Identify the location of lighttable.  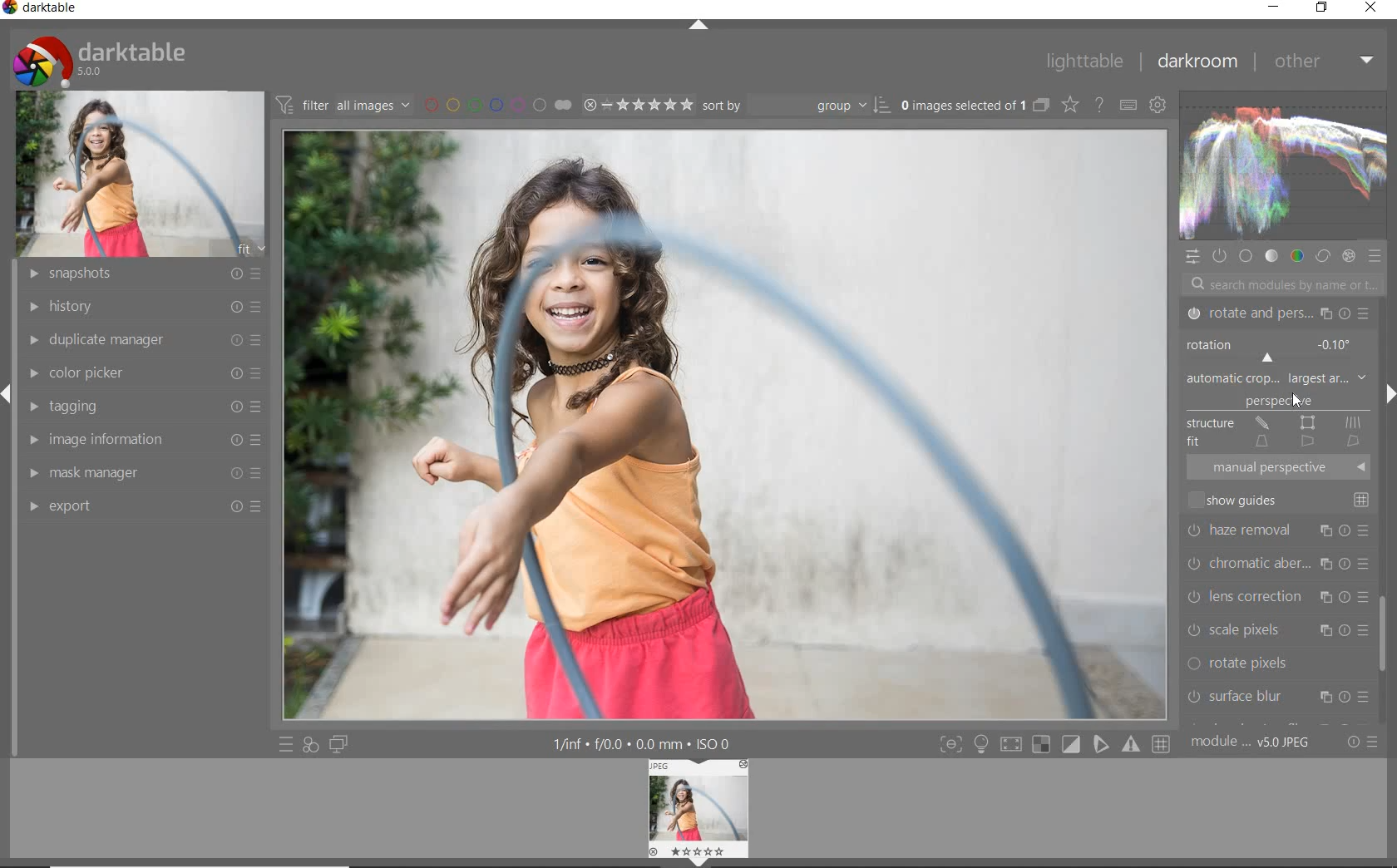
(1084, 62).